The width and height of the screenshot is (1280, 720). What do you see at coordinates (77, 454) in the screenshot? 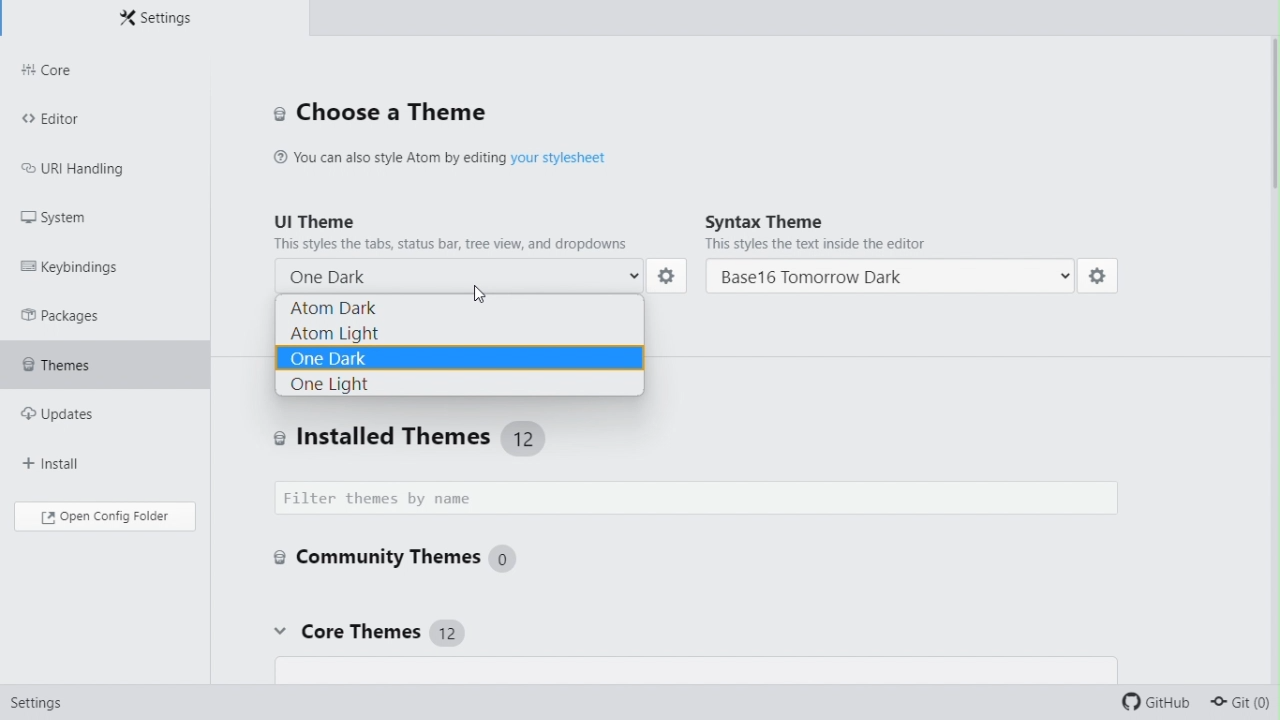
I see `Install` at bounding box center [77, 454].